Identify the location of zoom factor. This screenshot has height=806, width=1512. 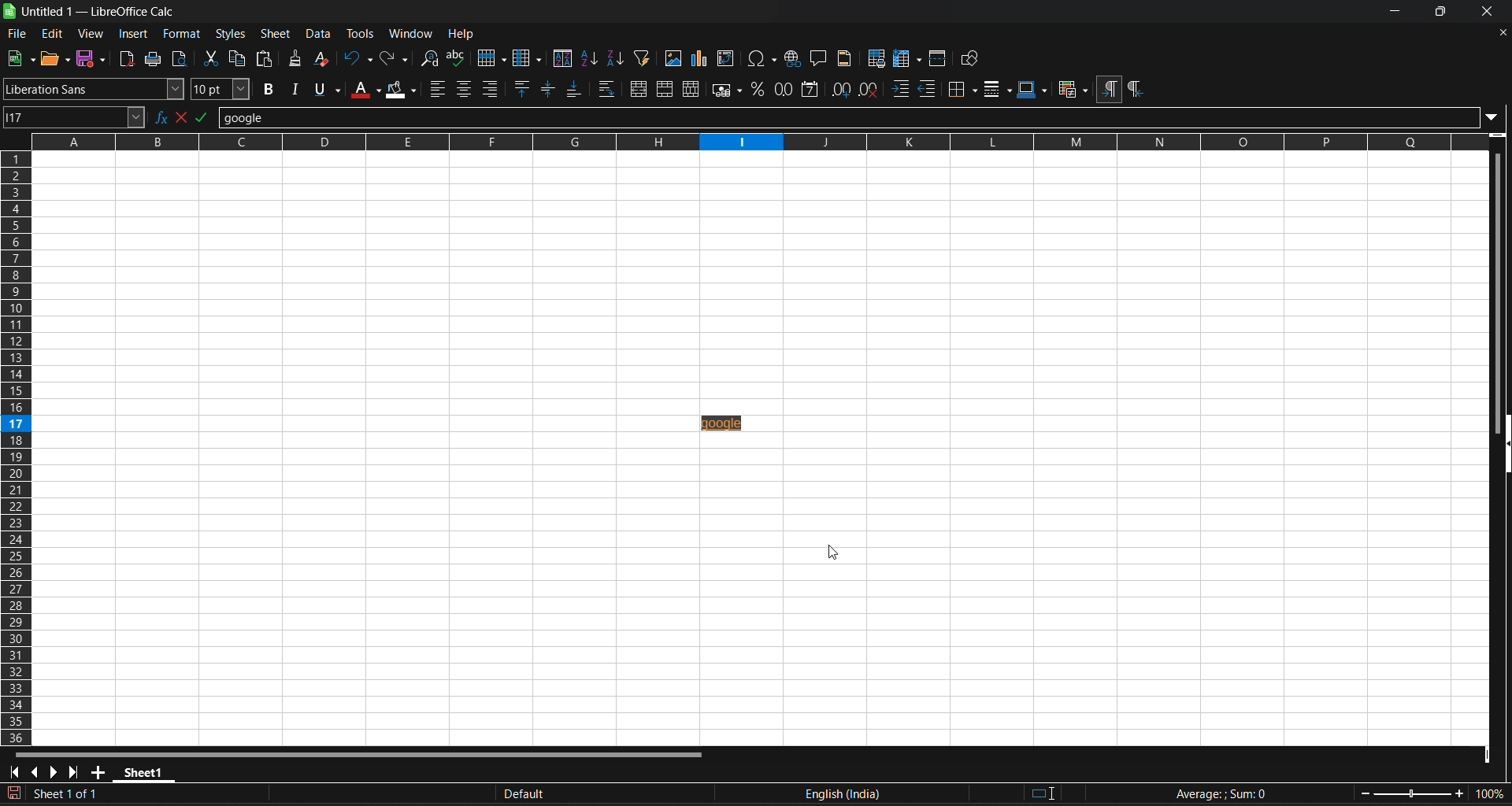
(1433, 793).